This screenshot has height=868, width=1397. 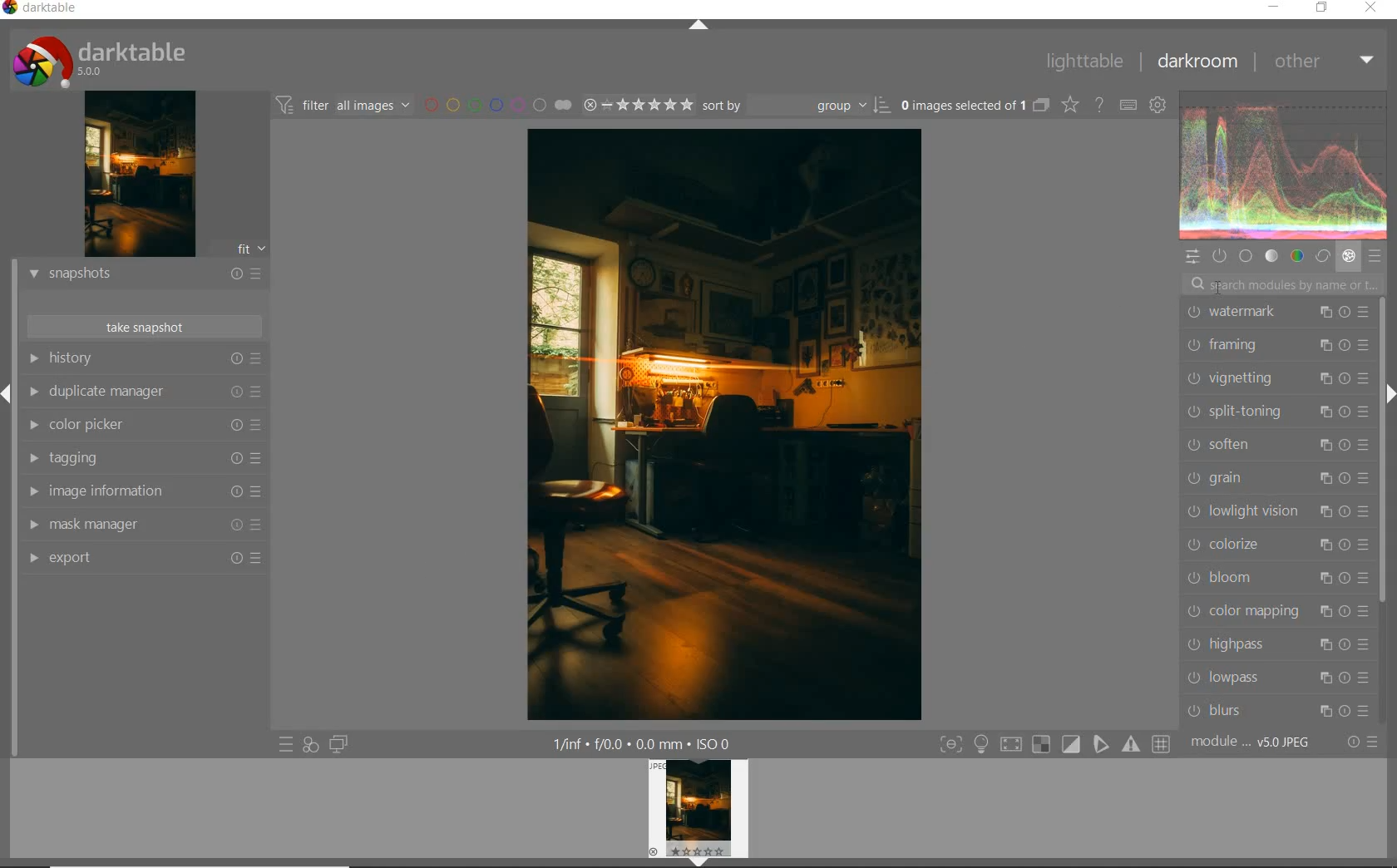 What do you see at coordinates (136, 177) in the screenshot?
I see `image preview` at bounding box center [136, 177].